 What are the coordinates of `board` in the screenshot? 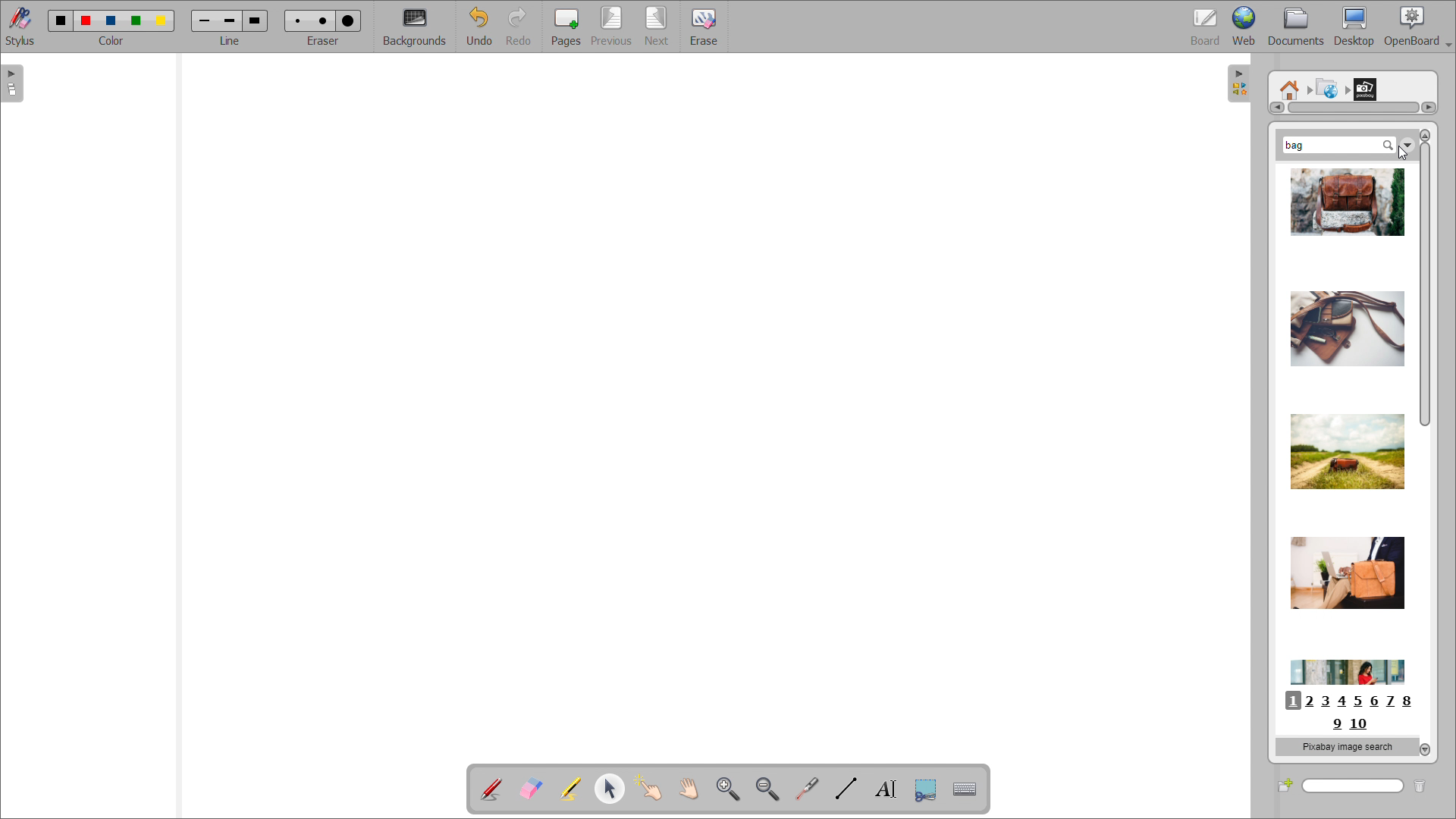 It's located at (1206, 27).